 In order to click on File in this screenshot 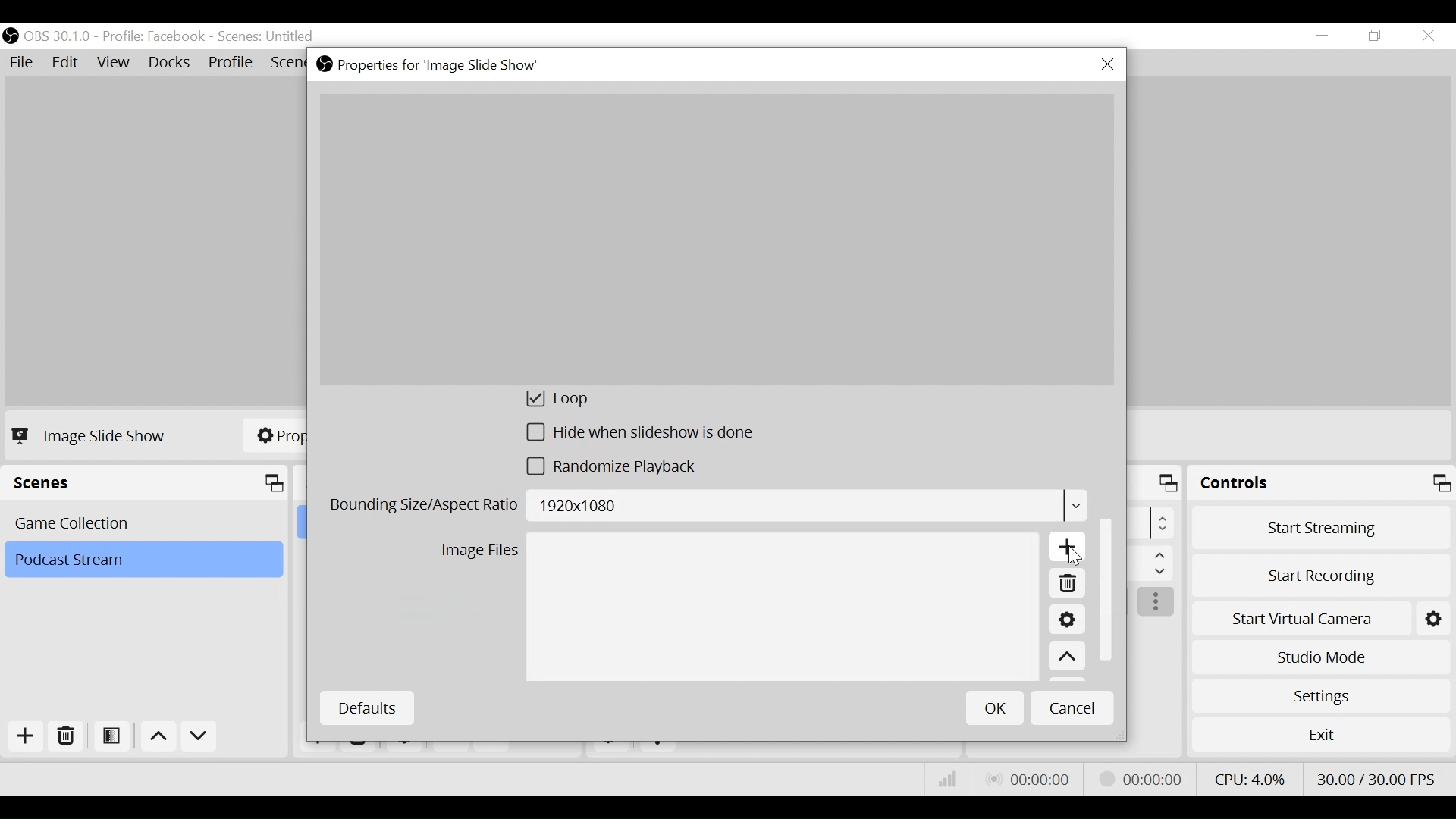, I will do `click(24, 63)`.